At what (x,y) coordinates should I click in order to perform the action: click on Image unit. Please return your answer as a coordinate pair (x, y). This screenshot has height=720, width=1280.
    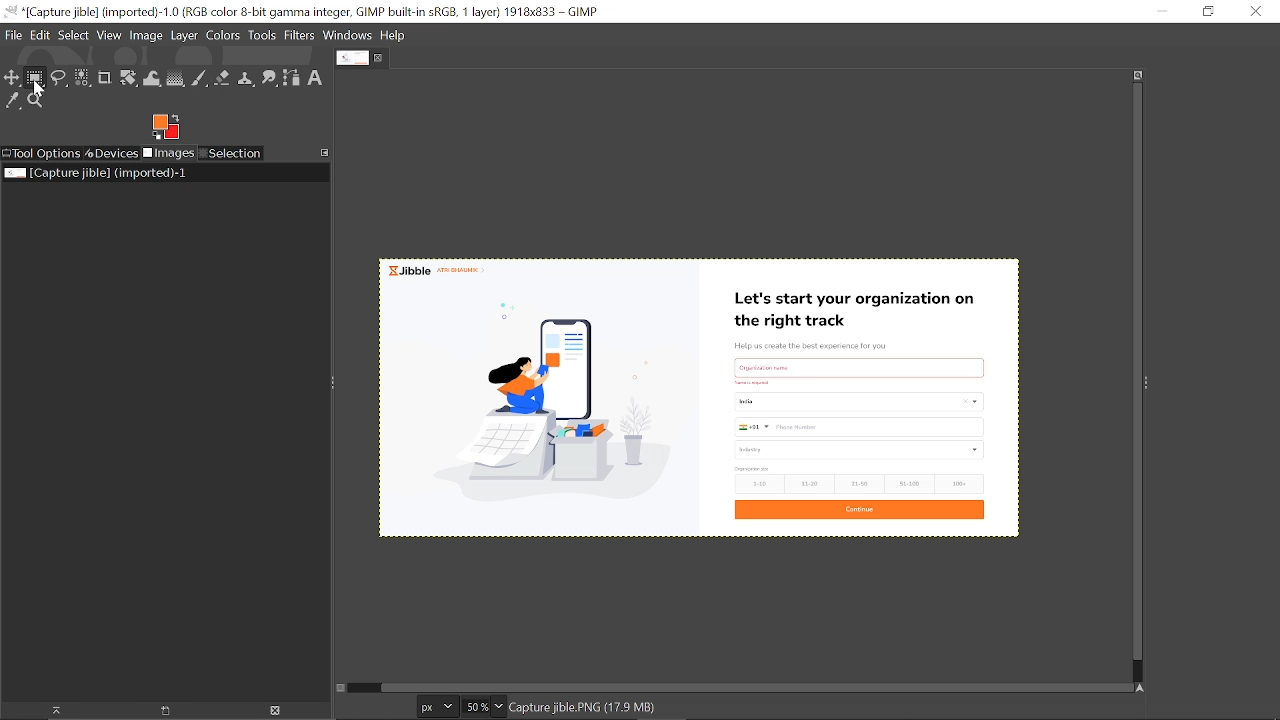
    Looking at the image, I should click on (433, 707).